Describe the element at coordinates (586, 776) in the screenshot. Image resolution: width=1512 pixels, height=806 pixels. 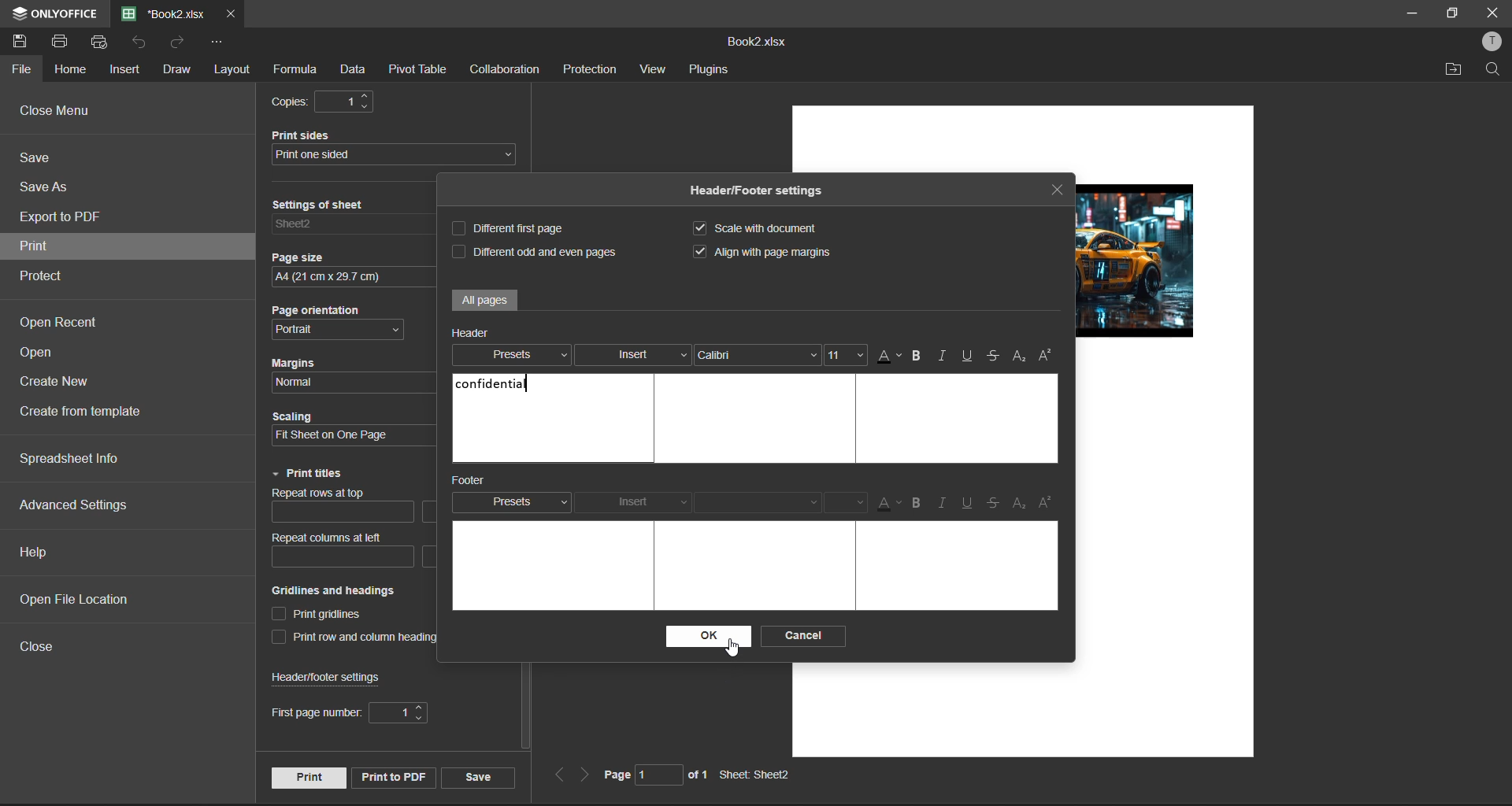
I see `next` at that location.